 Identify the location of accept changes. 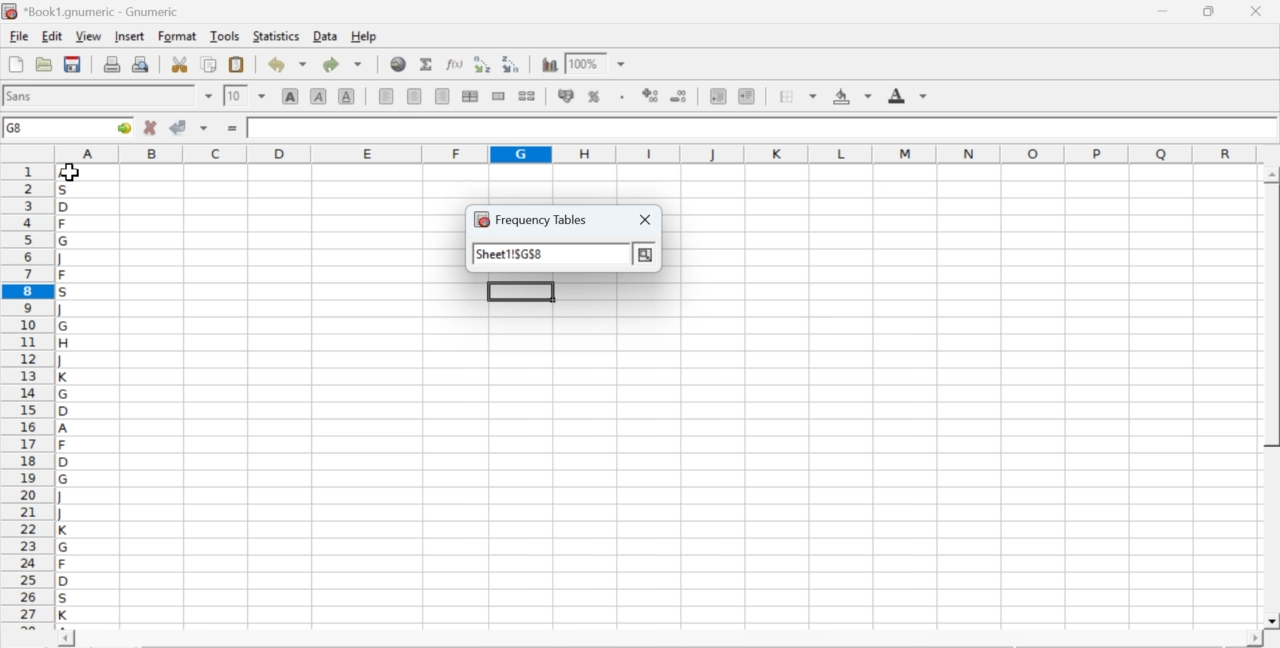
(179, 126).